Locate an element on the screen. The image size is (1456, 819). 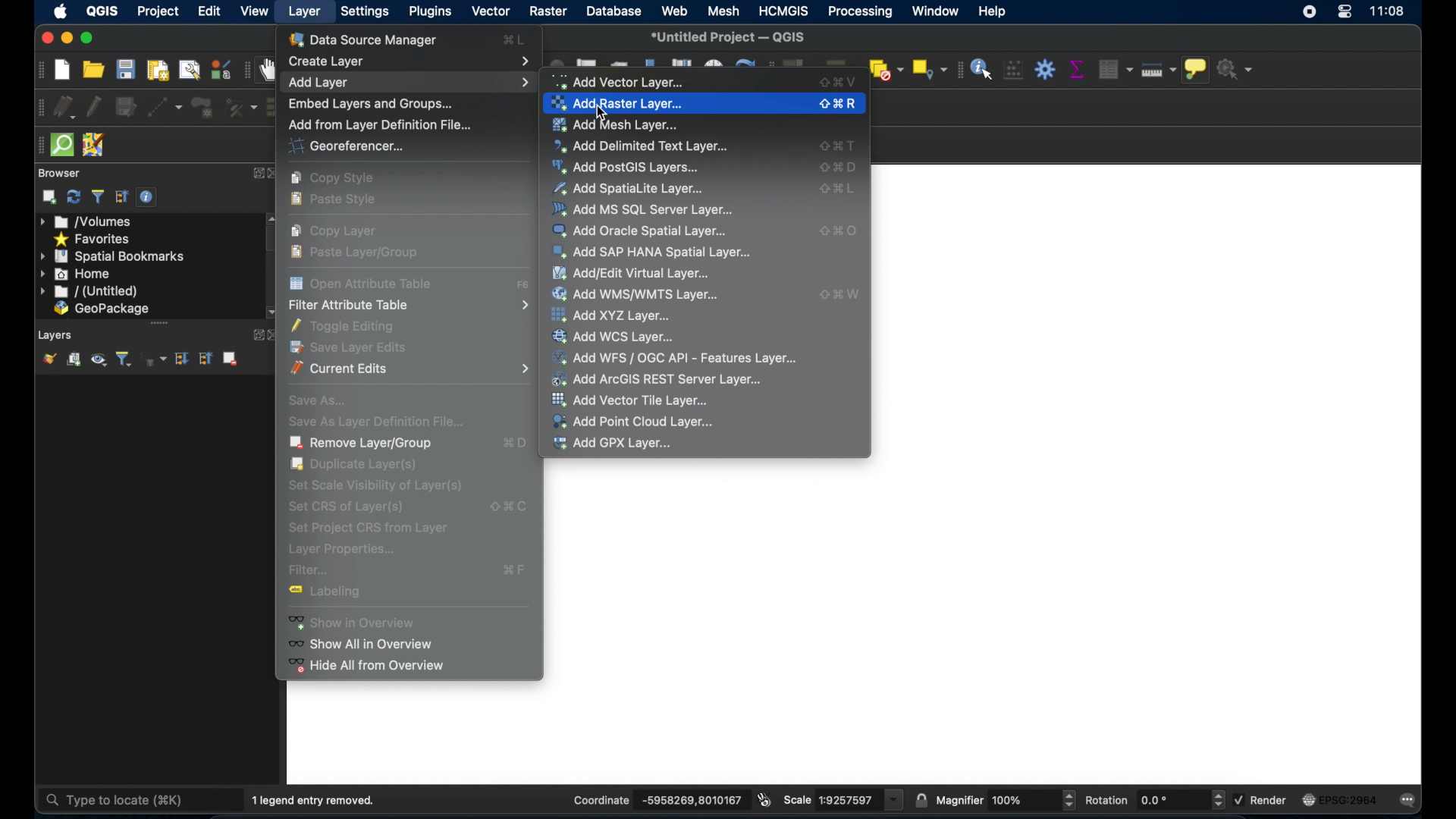
 is located at coordinates (1012, 800).